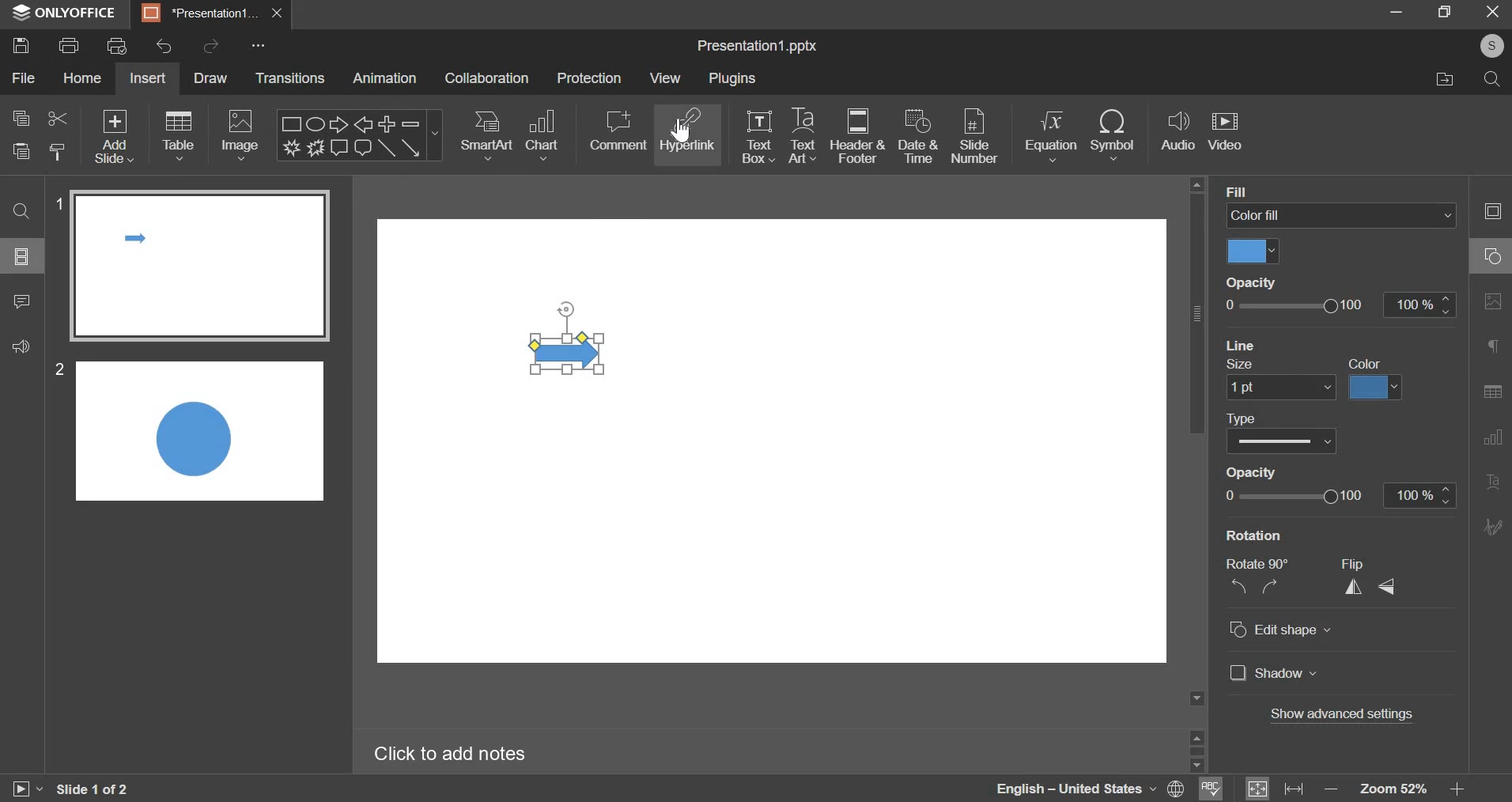 The width and height of the screenshot is (1512, 802). What do you see at coordinates (316, 147) in the screenshot?
I see `Explosion 2` at bounding box center [316, 147].